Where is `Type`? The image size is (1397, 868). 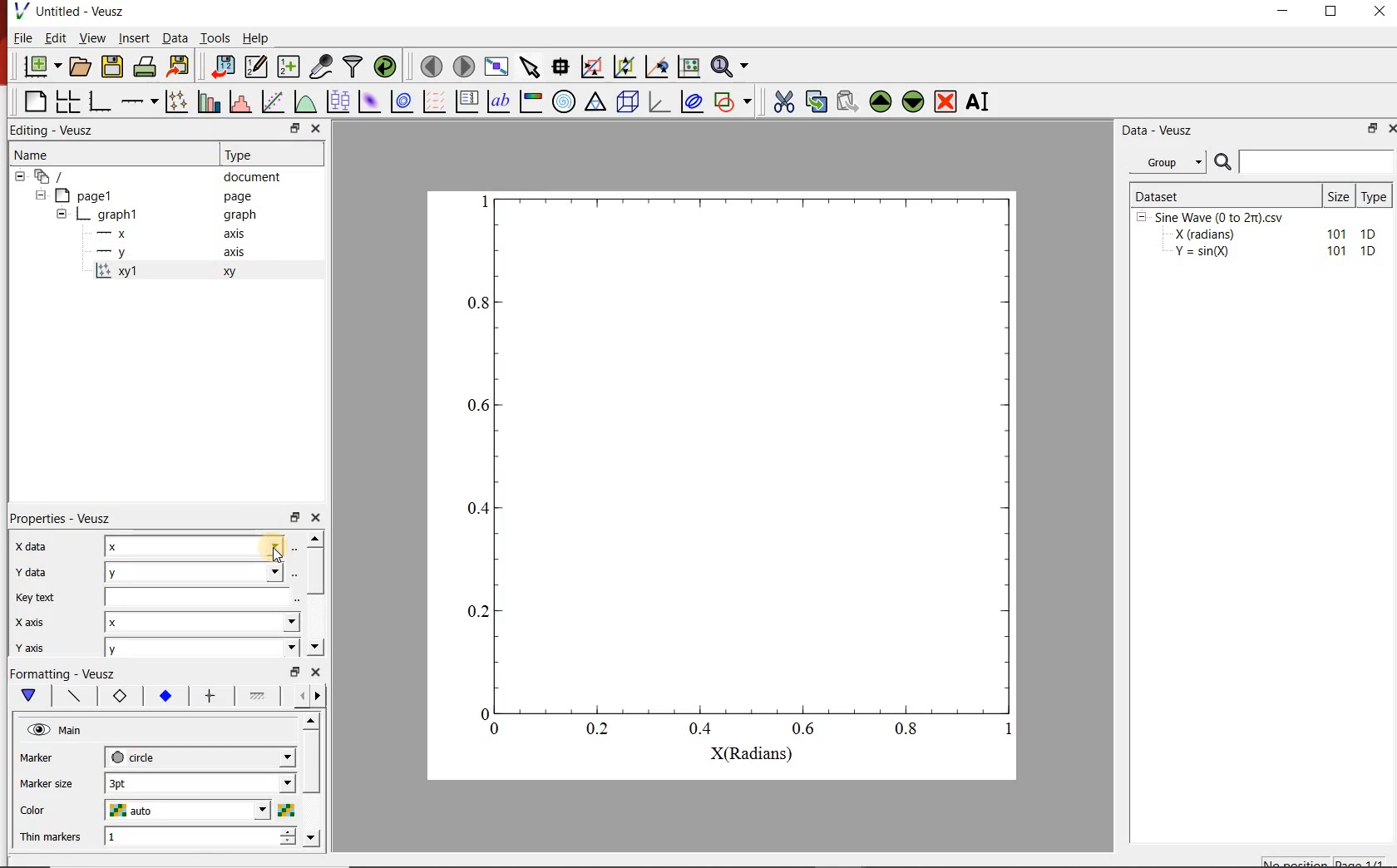 Type is located at coordinates (243, 153).